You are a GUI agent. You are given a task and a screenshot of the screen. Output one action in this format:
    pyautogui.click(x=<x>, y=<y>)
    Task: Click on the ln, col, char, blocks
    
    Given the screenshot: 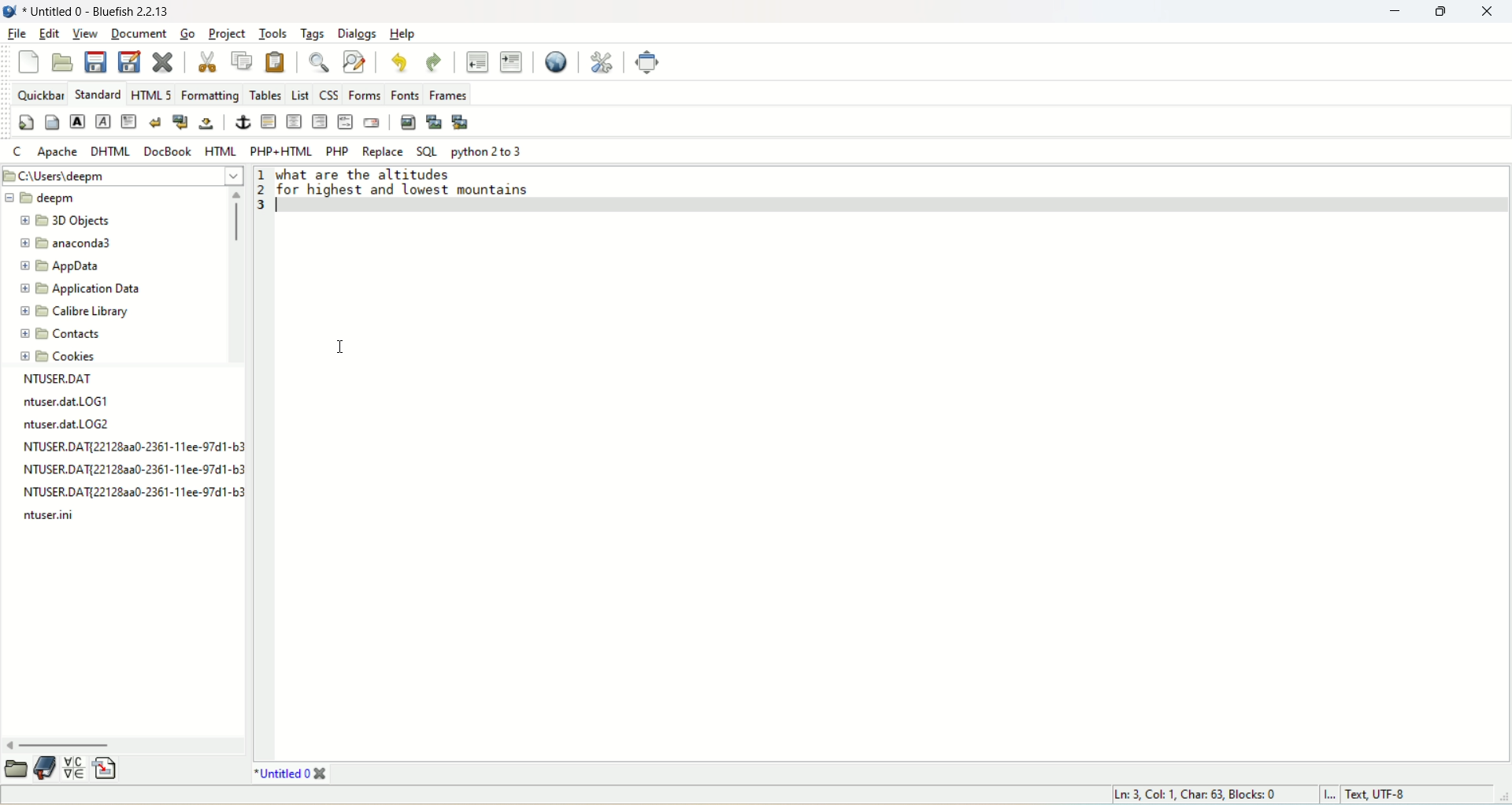 What is the action you would take?
    pyautogui.click(x=1197, y=795)
    